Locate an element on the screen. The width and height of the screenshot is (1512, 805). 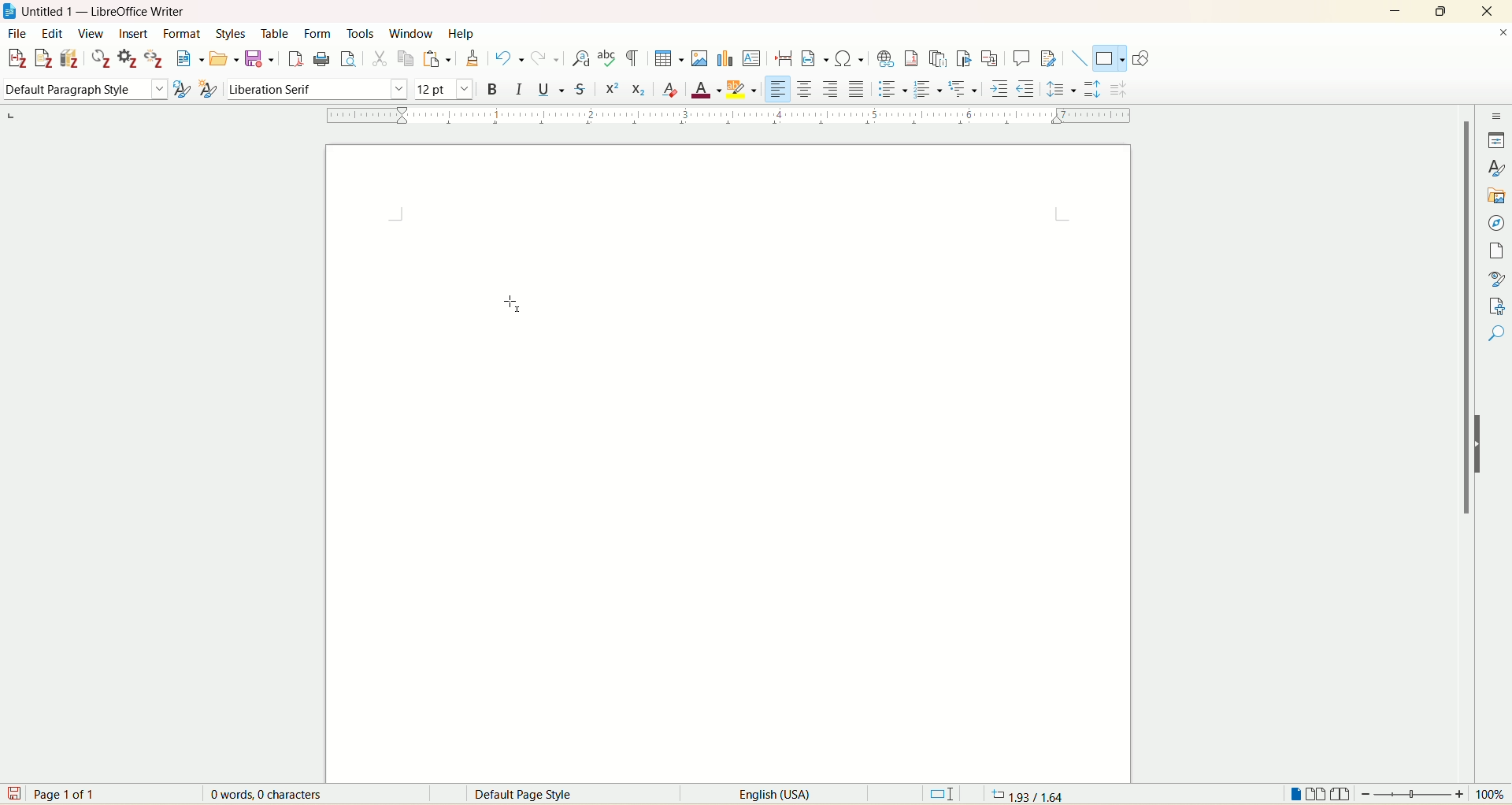
basic shapes is located at coordinates (1107, 59).